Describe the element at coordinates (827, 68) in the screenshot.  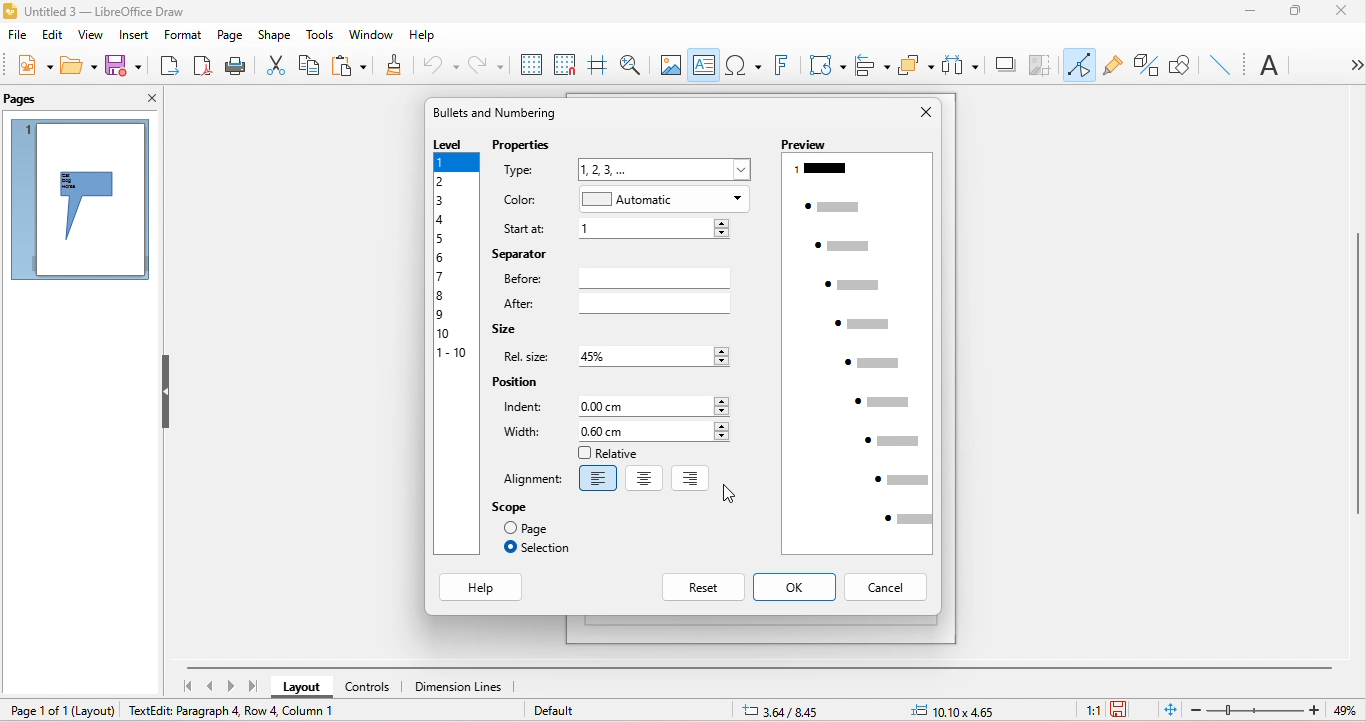
I see `transformation` at that location.